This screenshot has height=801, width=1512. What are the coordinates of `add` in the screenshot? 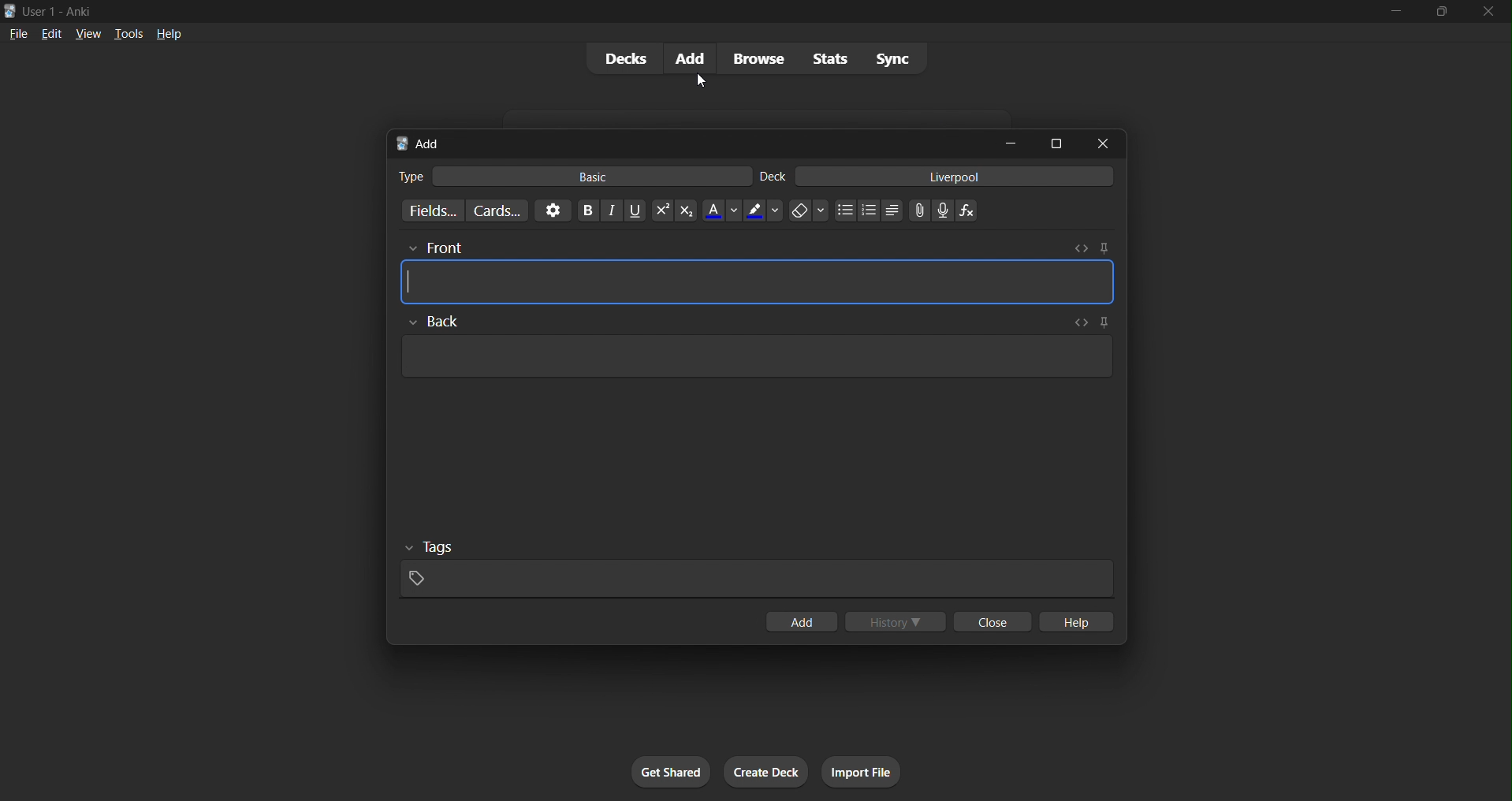 It's located at (799, 620).